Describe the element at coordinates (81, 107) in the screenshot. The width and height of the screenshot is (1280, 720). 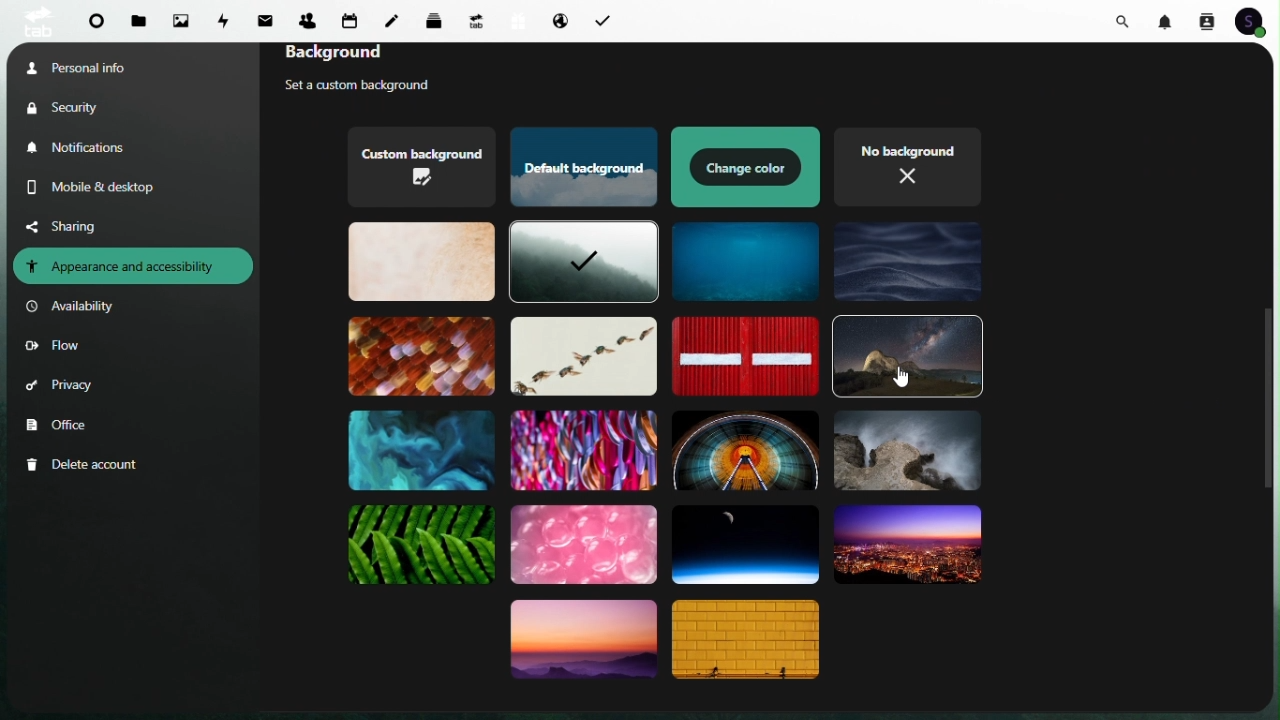
I see `Security` at that location.